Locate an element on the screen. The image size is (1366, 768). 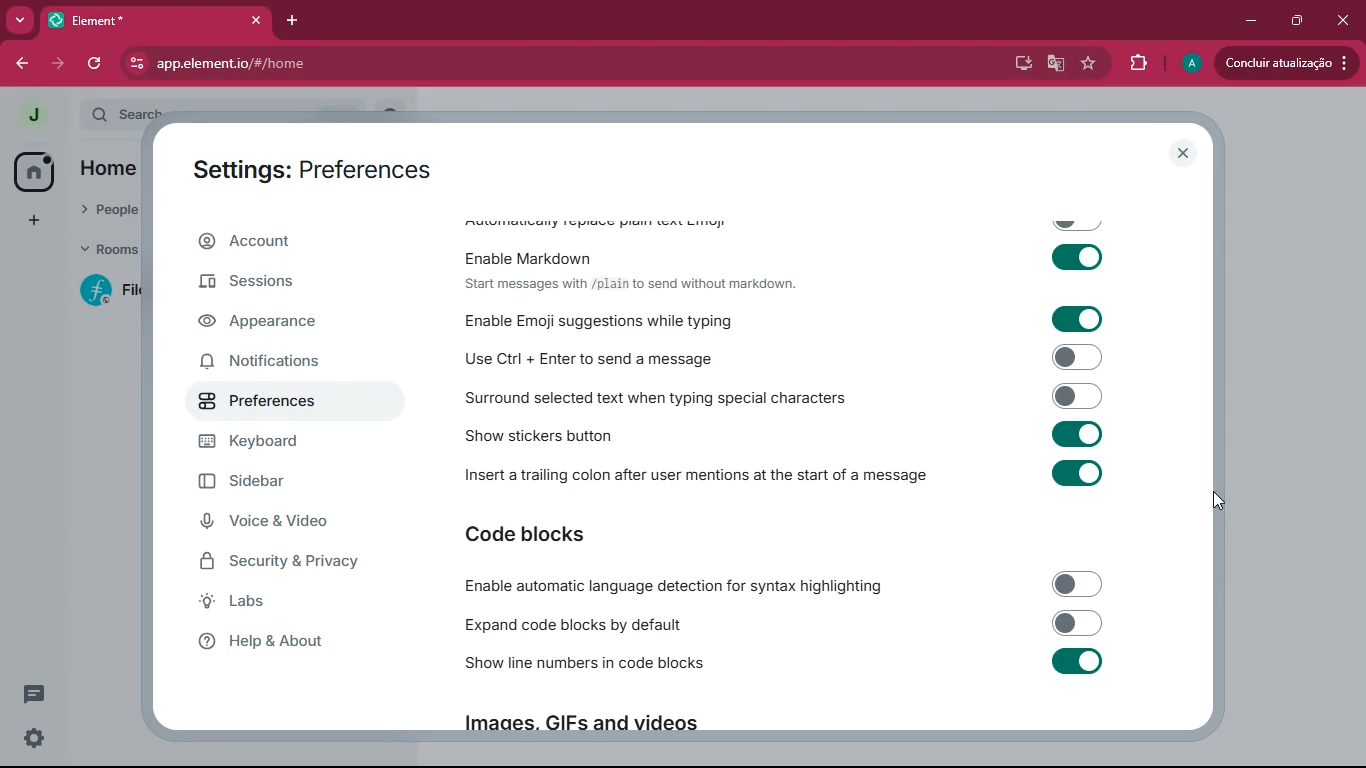
Start messages with /plain to send without markdown. is located at coordinates (630, 284).